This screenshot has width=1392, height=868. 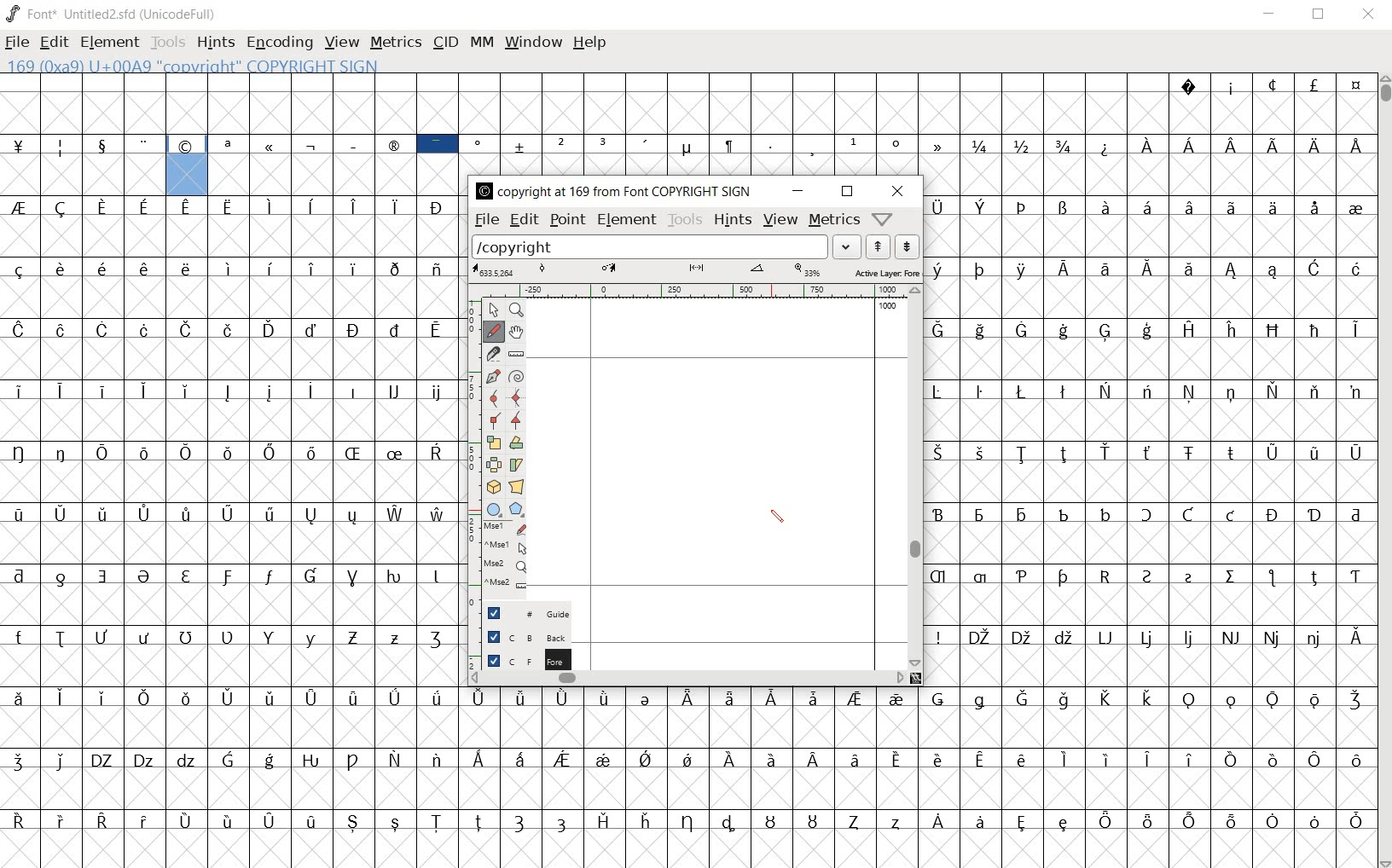 I want to click on show the next word on the list, so click(x=877, y=246).